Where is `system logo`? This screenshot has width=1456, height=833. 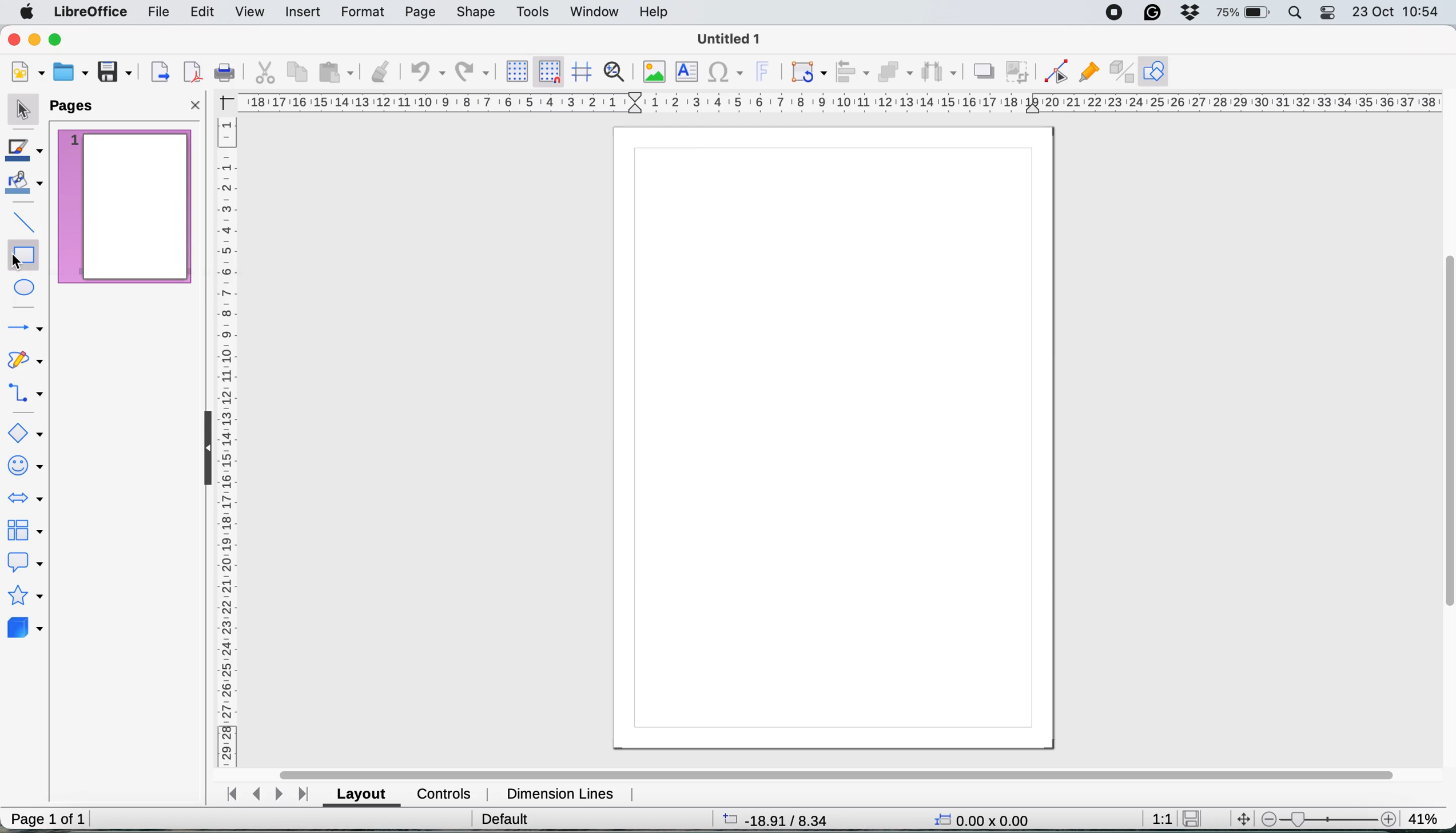 system logo is located at coordinates (24, 15).